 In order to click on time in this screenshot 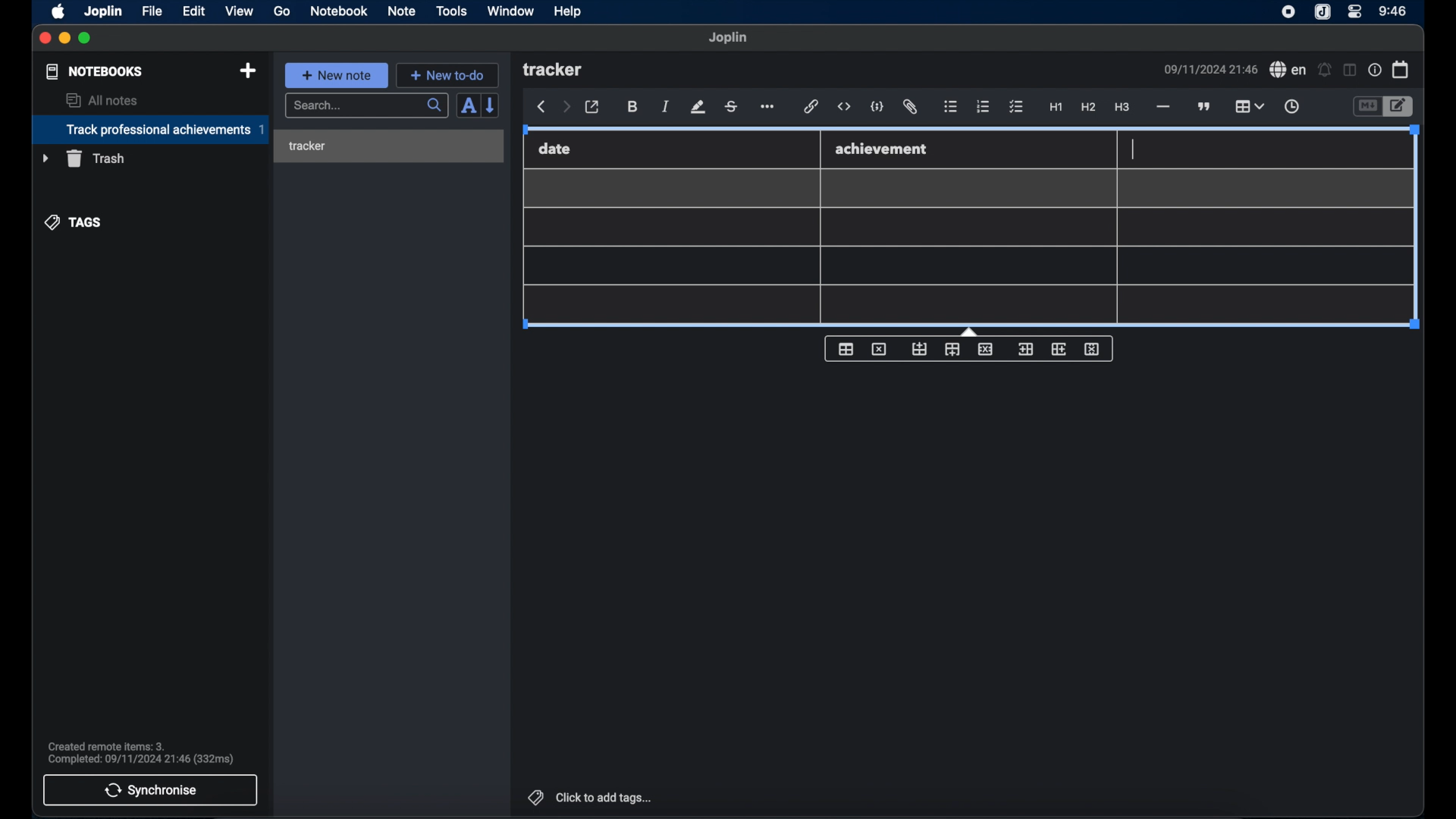, I will do `click(1393, 11)`.